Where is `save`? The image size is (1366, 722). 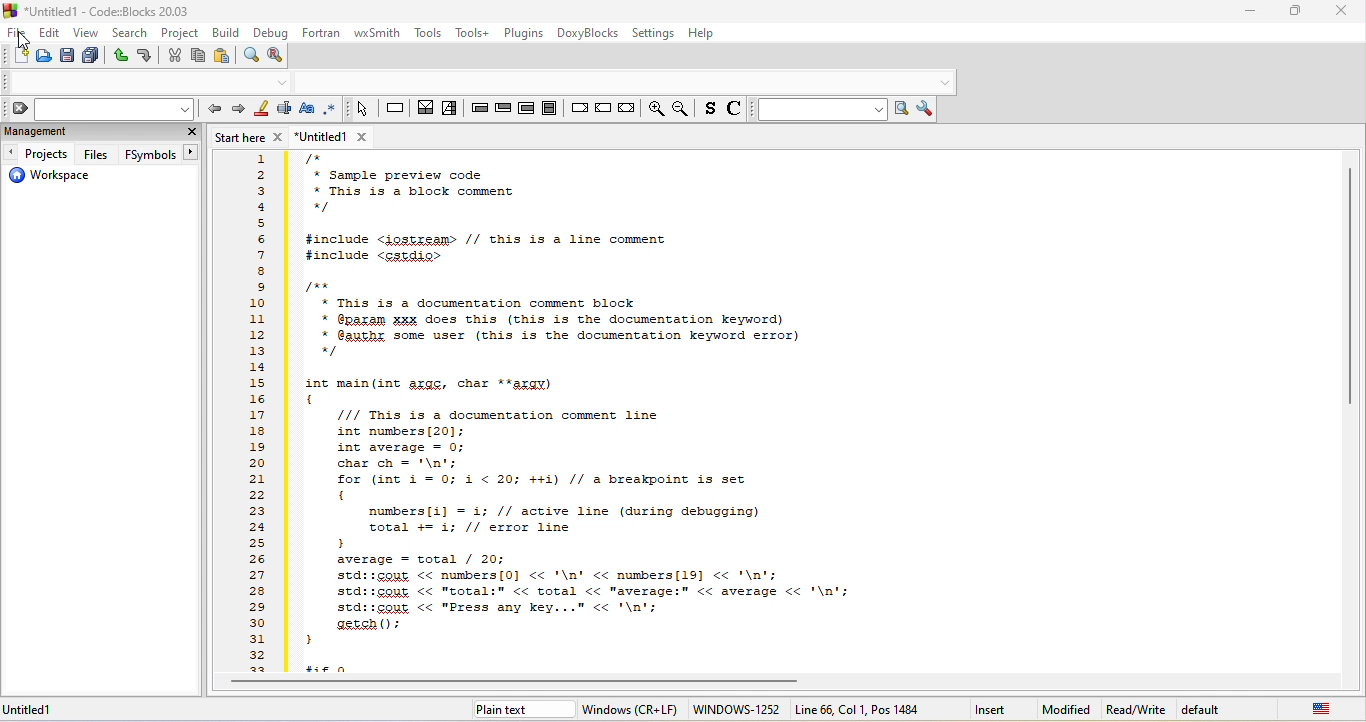
save is located at coordinates (66, 57).